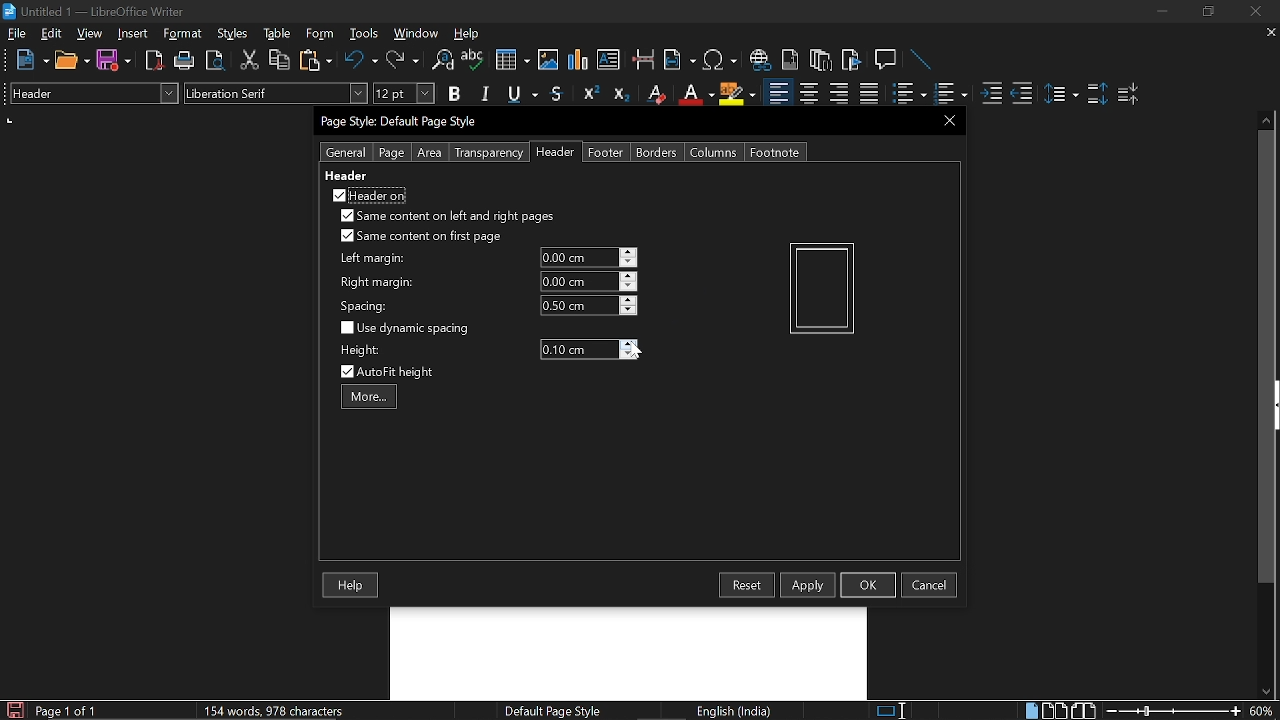 The width and height of the screenshot is (1280, 720). Describe the element at coordinates (629, 276) in the screenshot. I see `increase right margin` at that location.